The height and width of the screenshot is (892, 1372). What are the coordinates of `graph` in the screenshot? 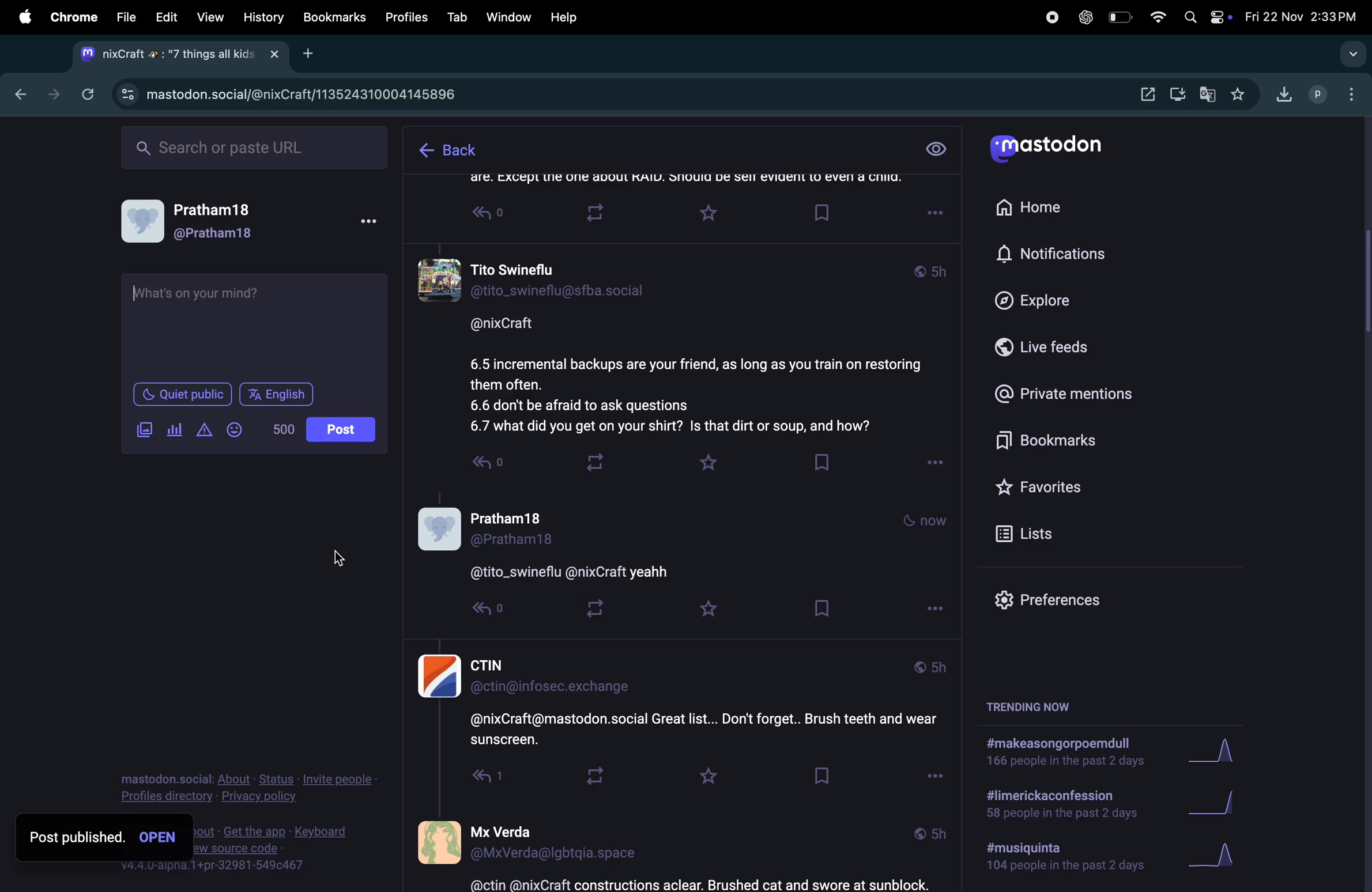 It's located at (1215, 752).